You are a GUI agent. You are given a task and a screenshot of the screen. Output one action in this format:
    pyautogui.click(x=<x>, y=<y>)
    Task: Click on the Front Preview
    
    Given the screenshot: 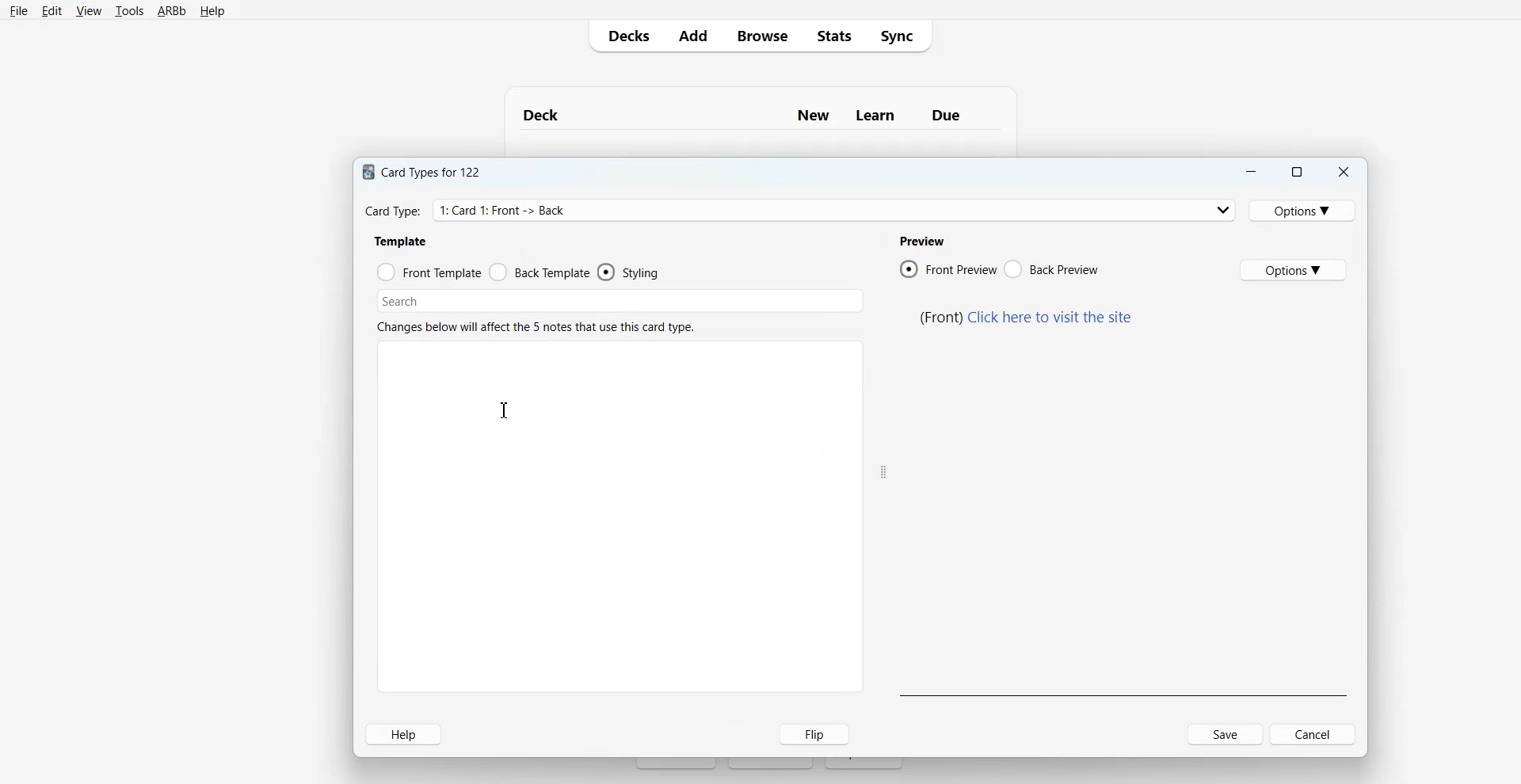 What is the action you would take?
    pyautogui.click(x=948, y=268)
    